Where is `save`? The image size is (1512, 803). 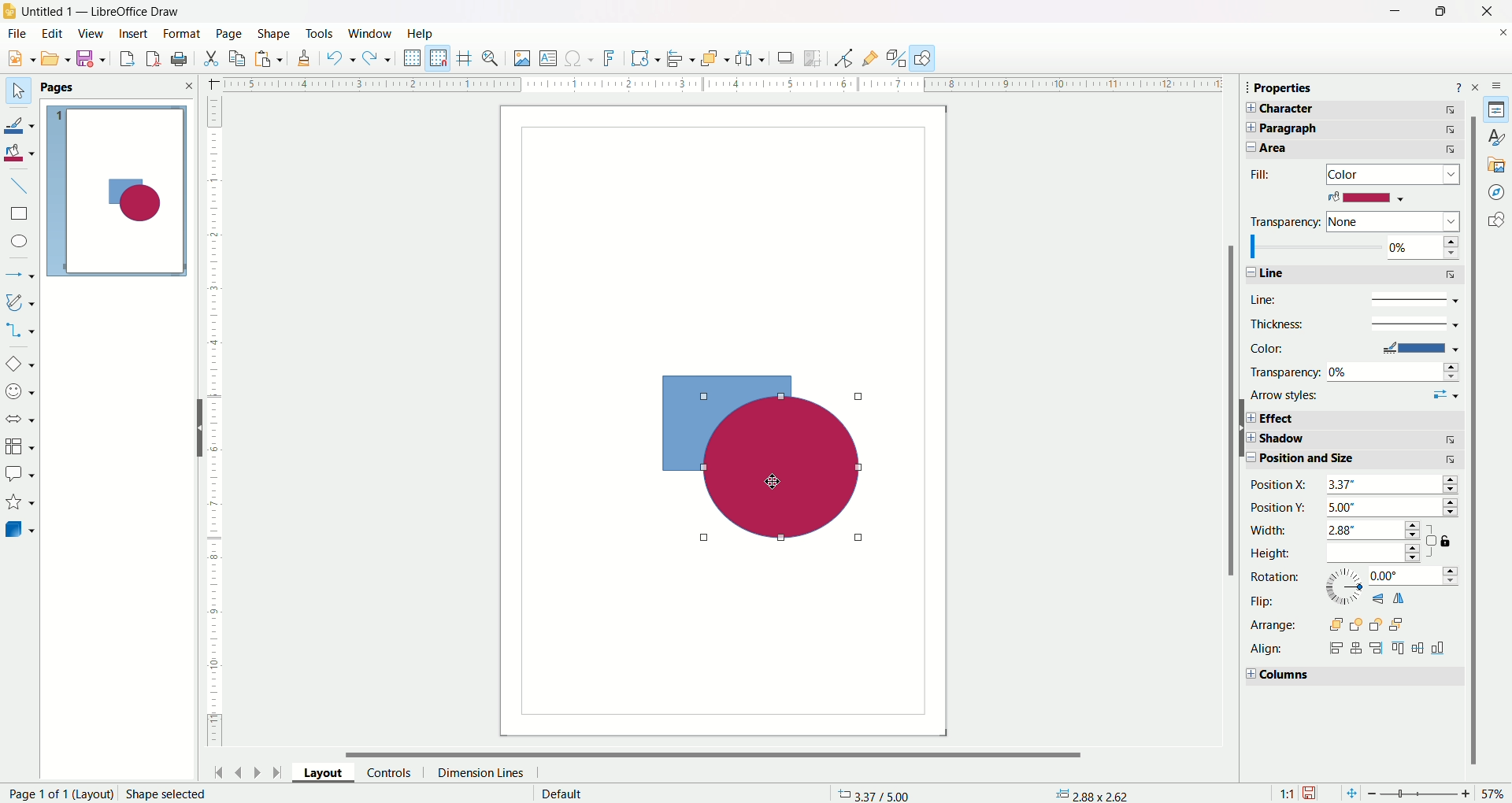 save is located at coordinates (1313, 790).